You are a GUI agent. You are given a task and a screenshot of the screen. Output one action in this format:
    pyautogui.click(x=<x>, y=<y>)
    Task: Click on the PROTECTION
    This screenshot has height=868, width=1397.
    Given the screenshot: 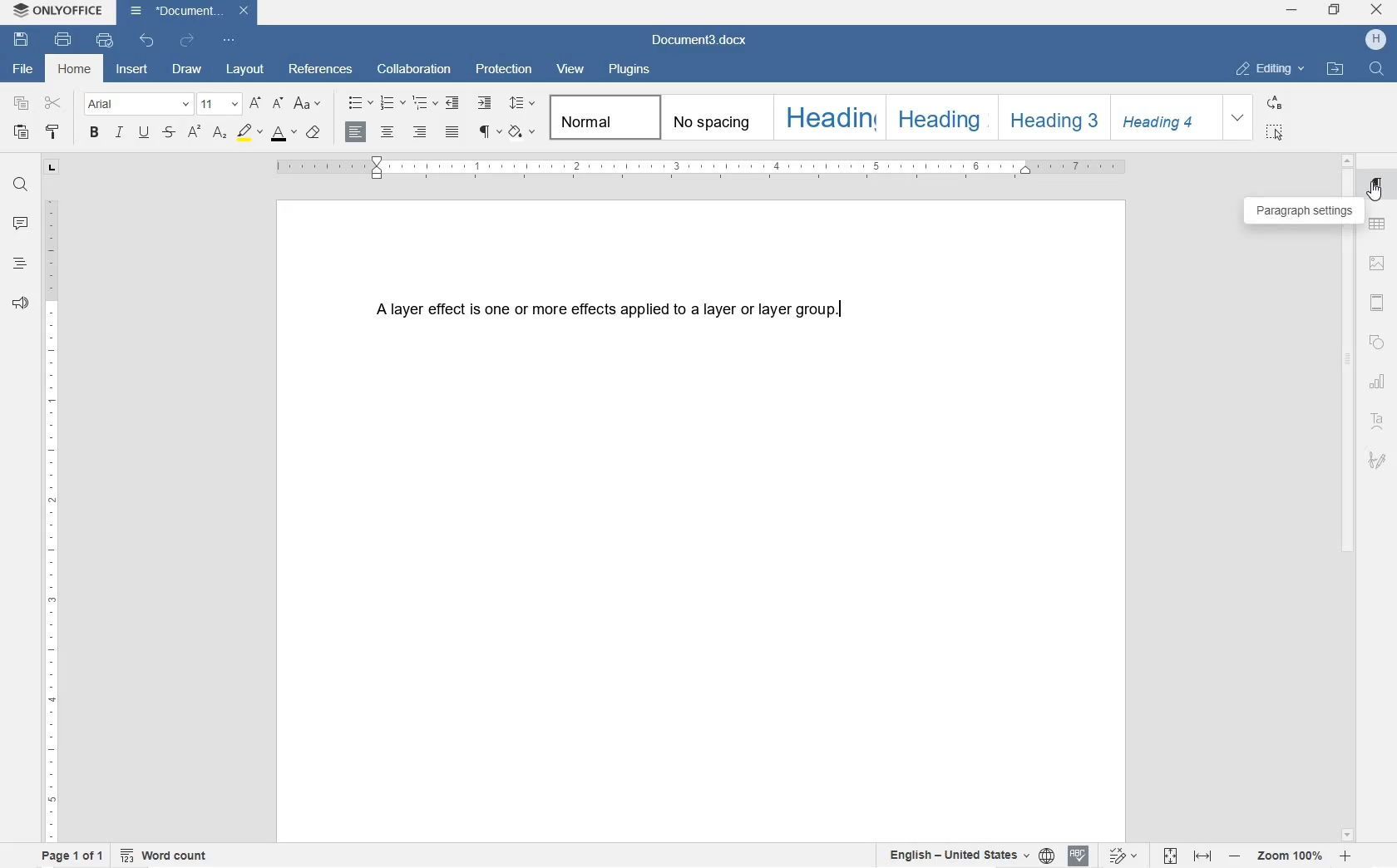 What is the action you would take?
    pyautogui.click(x=506, y=71)
    